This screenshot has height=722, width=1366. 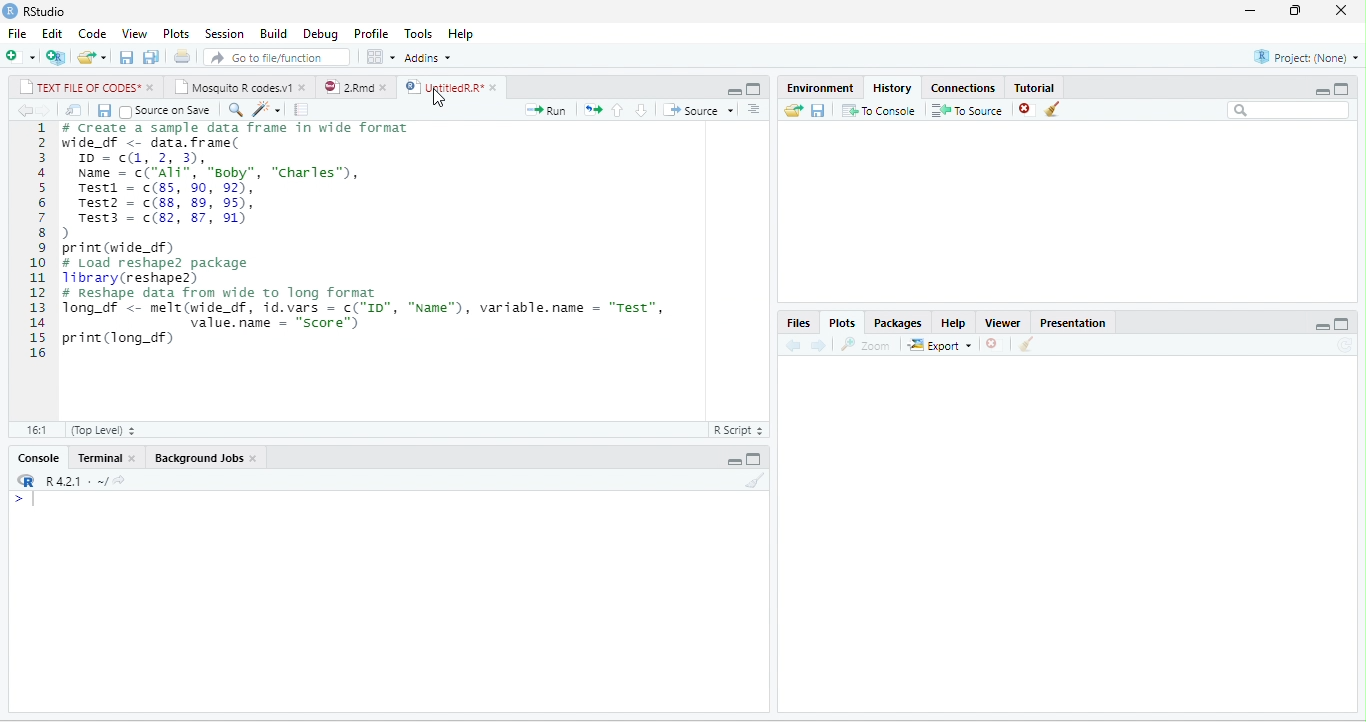 I want to click on line numbering , so click(x=38, y=241).